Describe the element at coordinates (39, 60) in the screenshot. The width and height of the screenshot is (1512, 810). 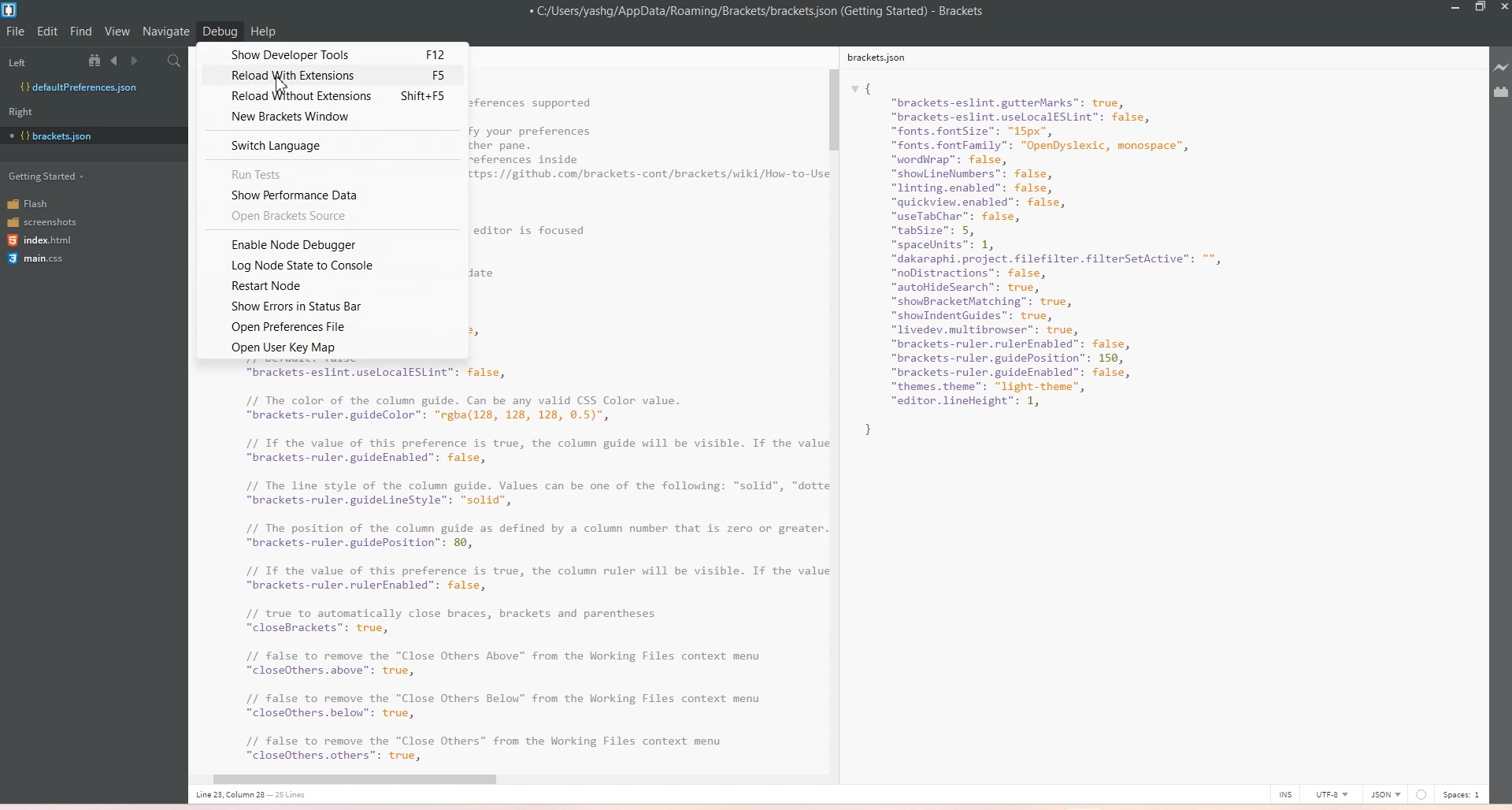
I see `Left` at that location.